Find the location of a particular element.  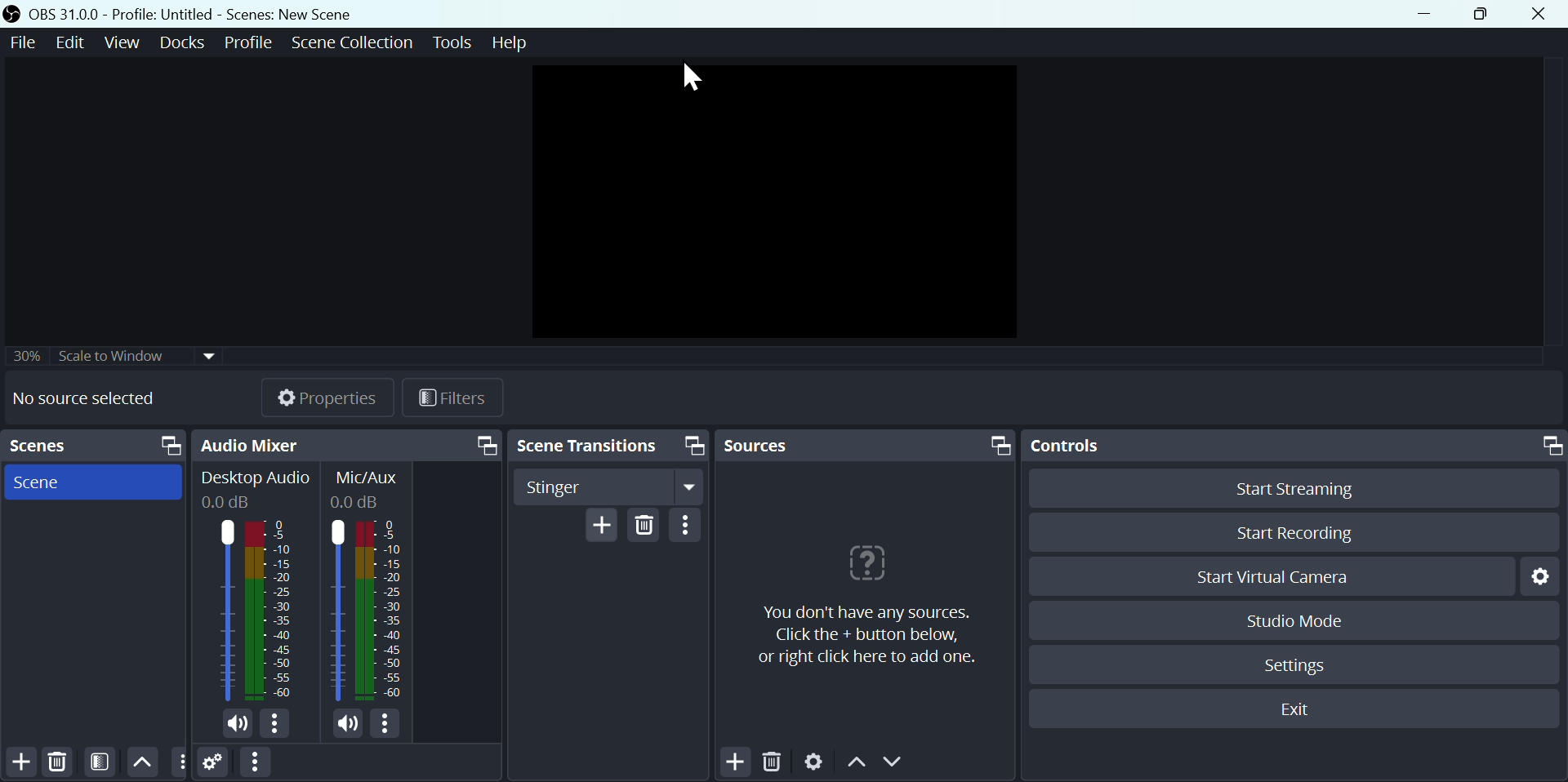

Add is located at coordinates (602, 526).